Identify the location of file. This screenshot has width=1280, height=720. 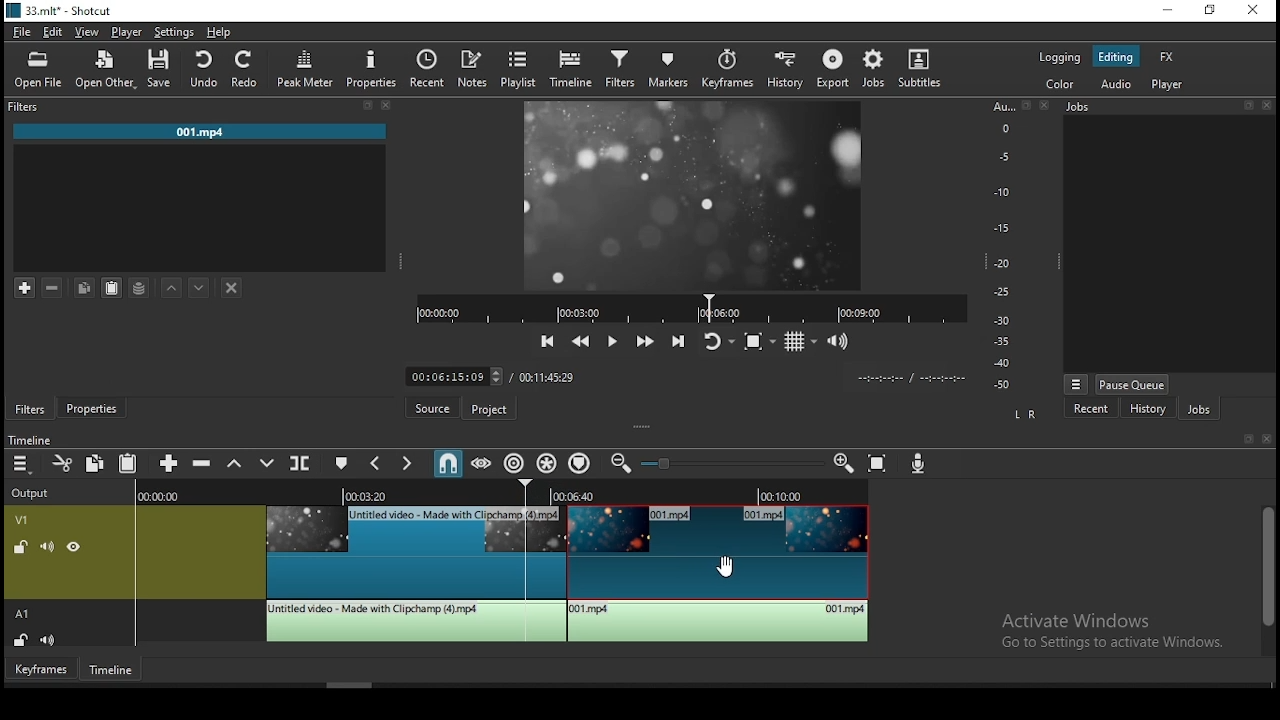
(23, 32).